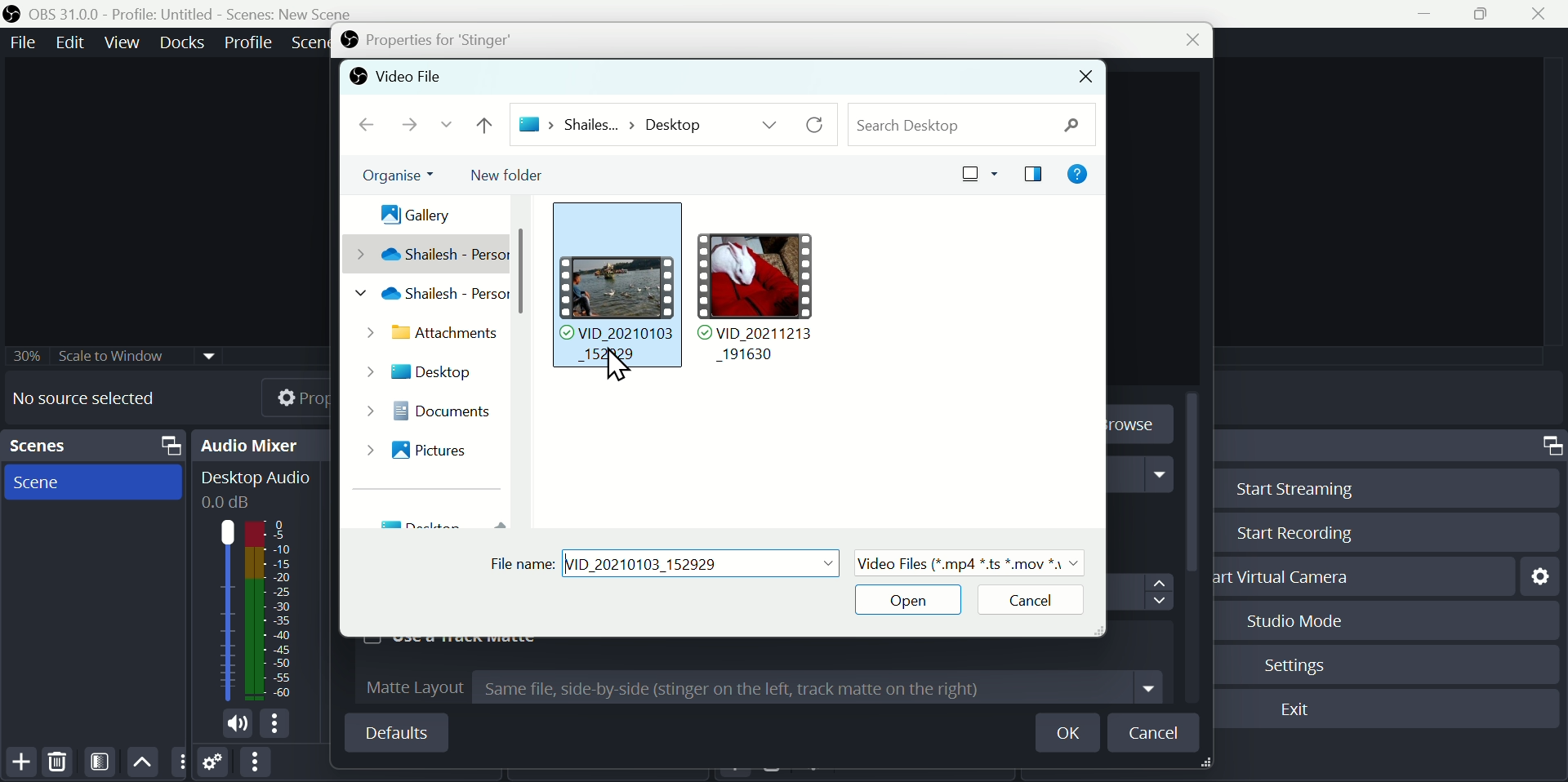  I want to click on Add, so click(21, 762).